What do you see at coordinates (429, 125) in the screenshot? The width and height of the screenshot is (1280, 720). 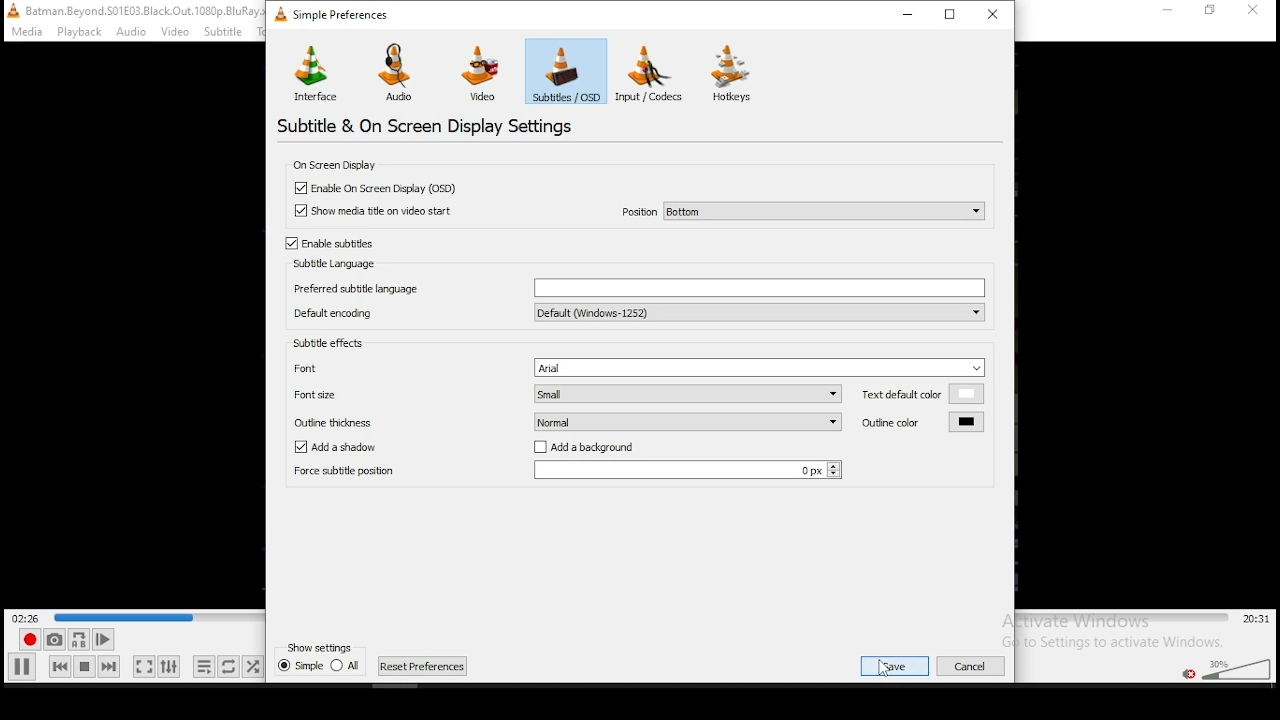 I see `subtitle and on screen display settings` at bounding box center [429, 125].